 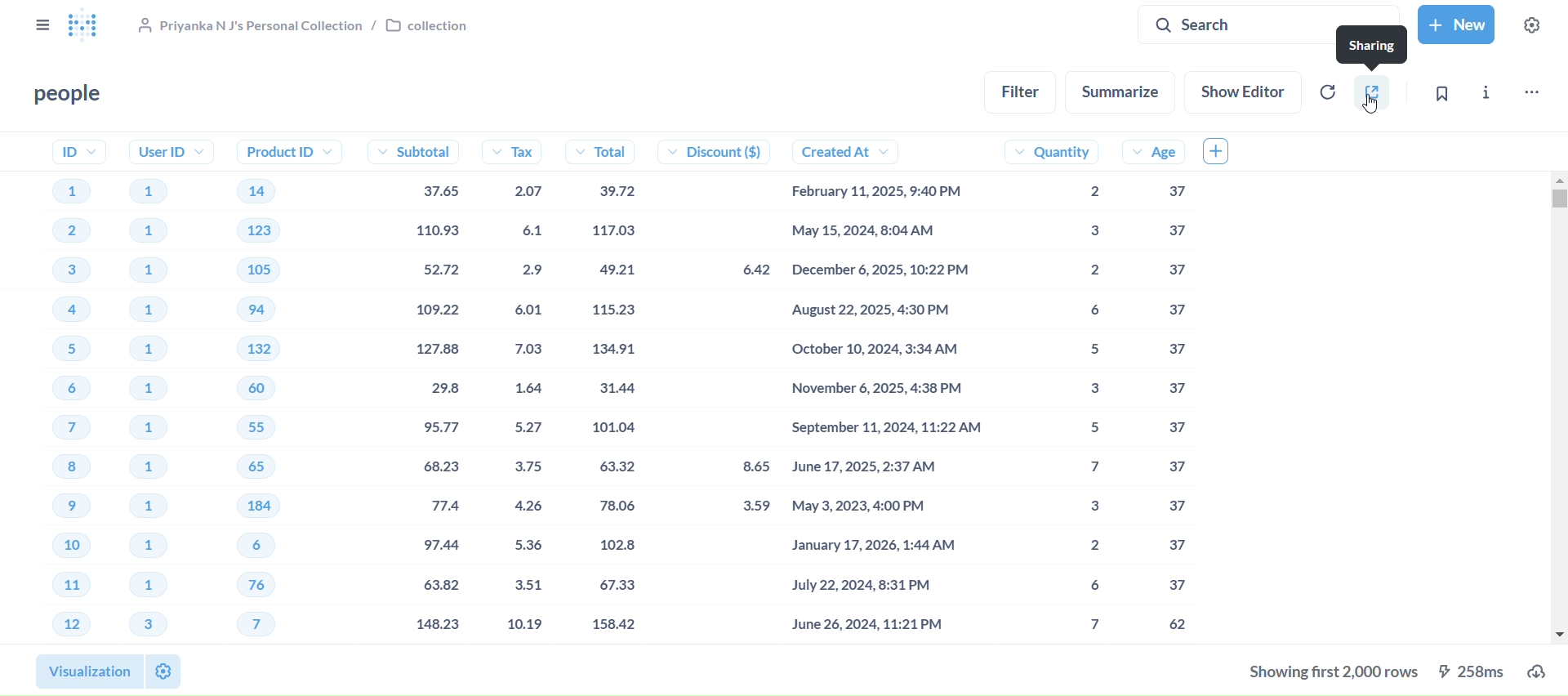 I want to click on close sidebars, so click(x=42, y=26).